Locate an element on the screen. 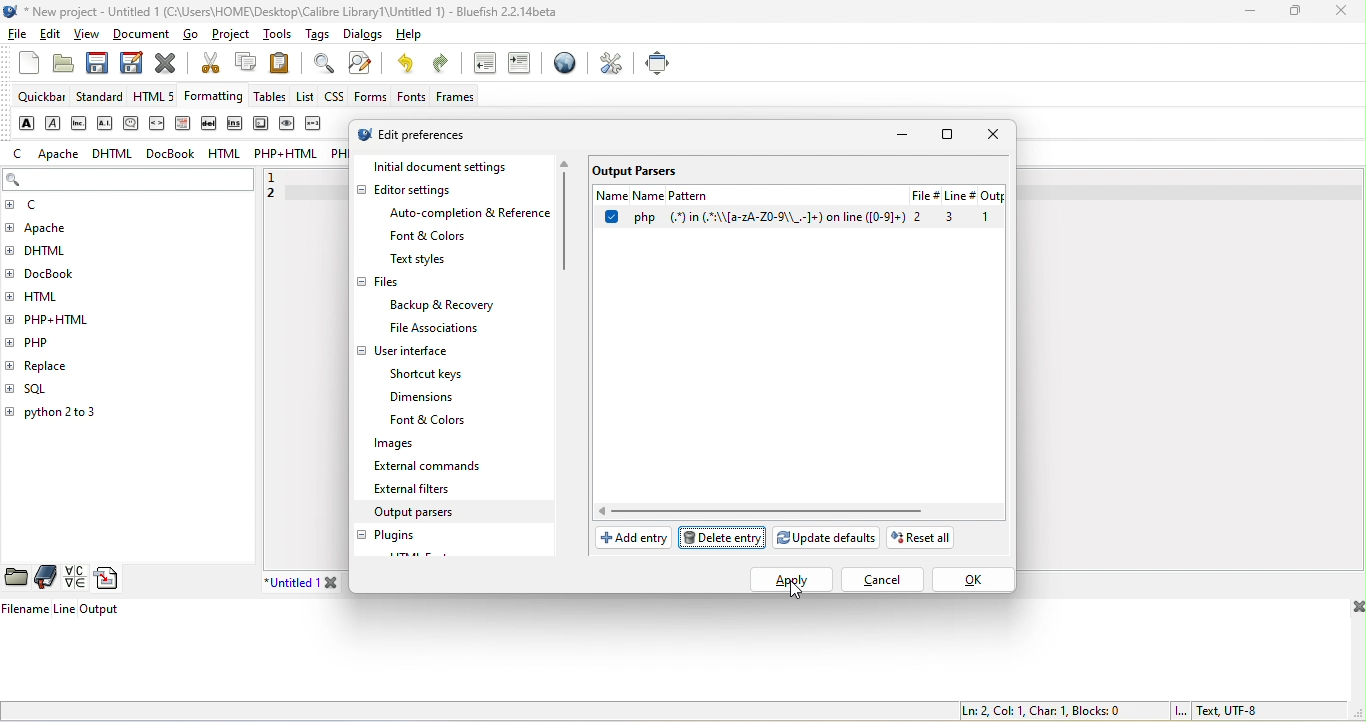 Image resolution: width=1366 pixels, height=722 pixels. variable is located at coordinates (316, 124).